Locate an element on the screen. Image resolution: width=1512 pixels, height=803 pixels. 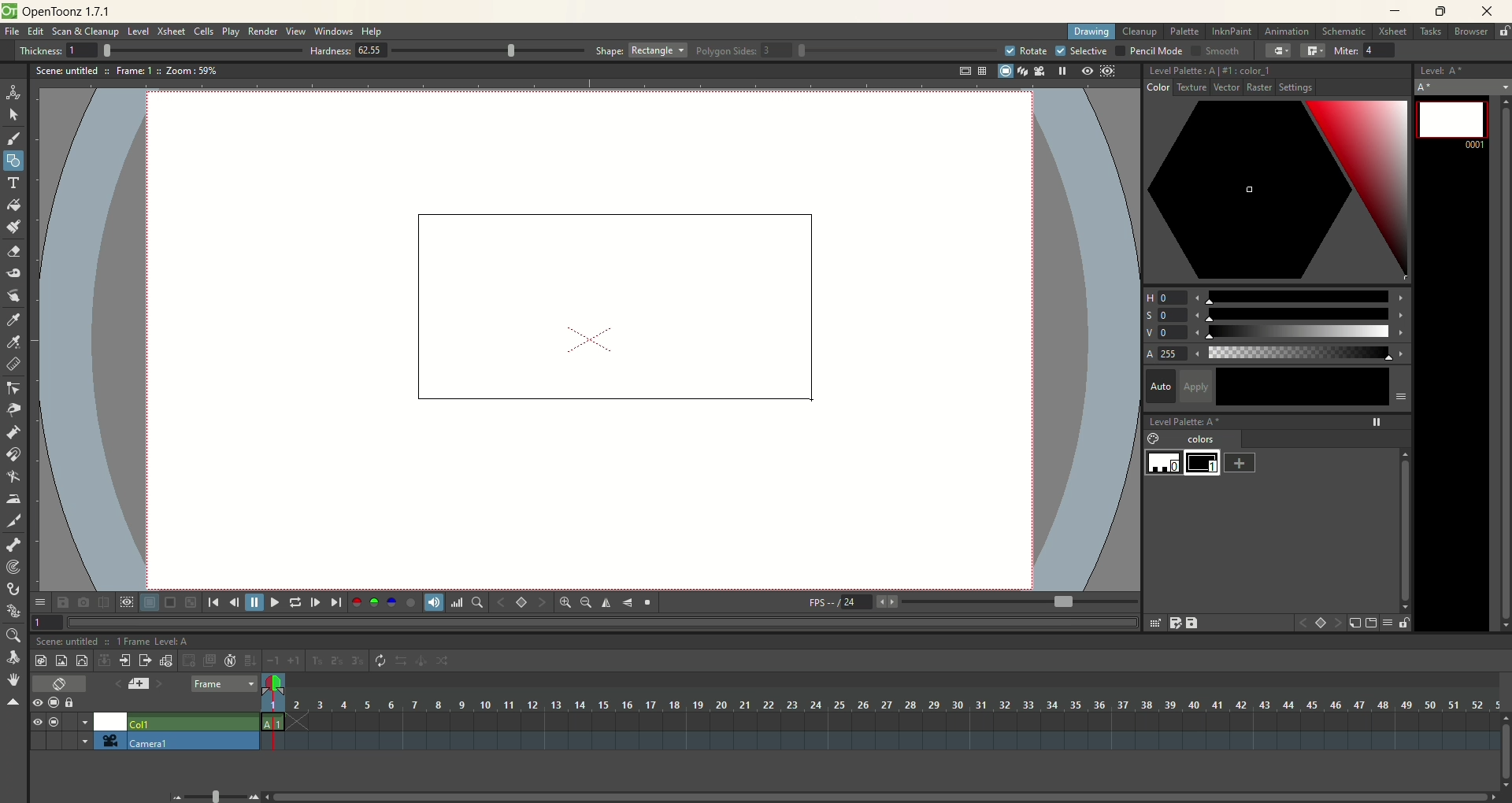
previous key is located at coordinates (1303, 625).